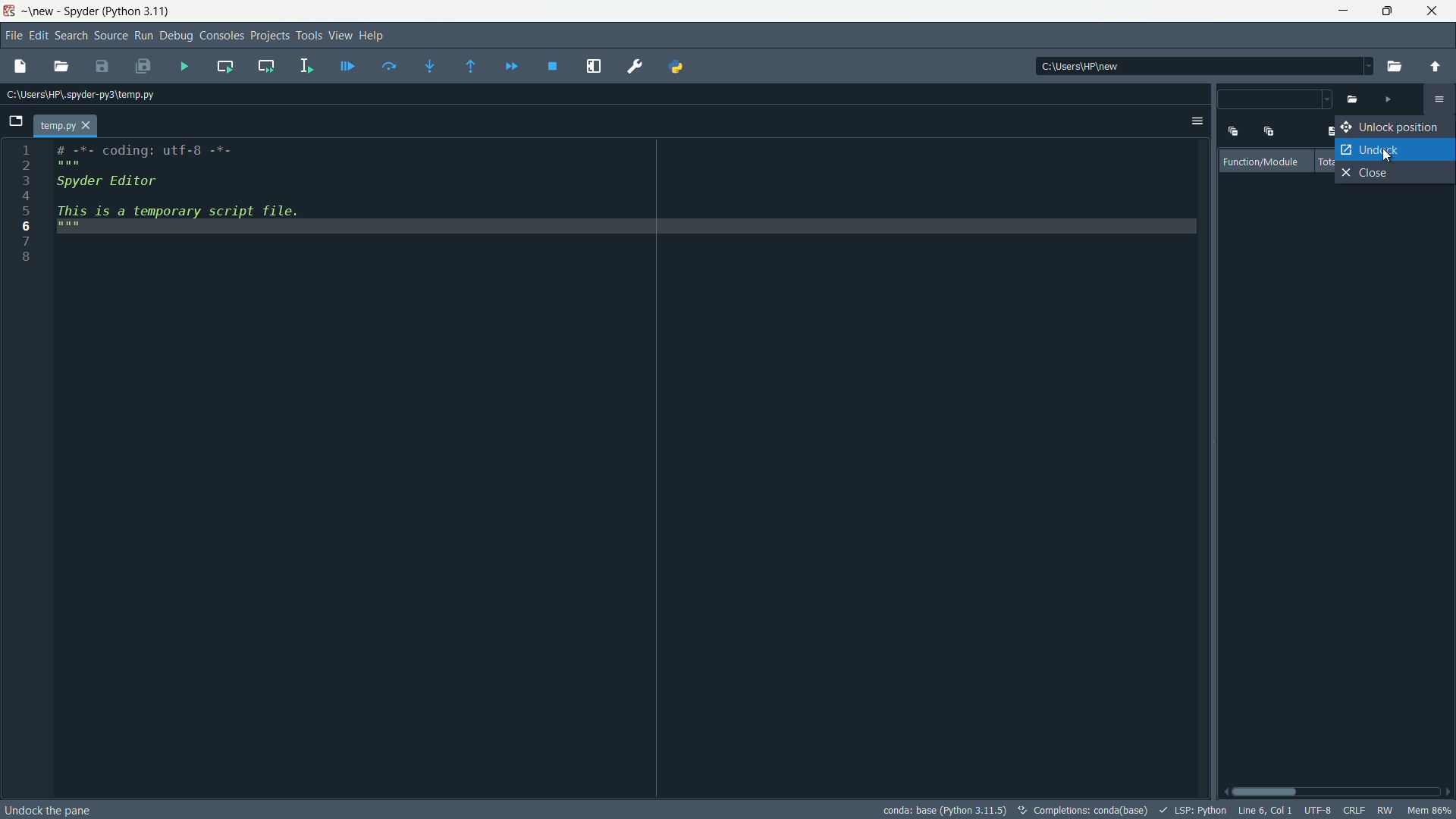 The image size is (1456, 819). What do you see at coordinates (225, 67) in the screenshot?
I see `run current cell` at bounding box center [225, 67].